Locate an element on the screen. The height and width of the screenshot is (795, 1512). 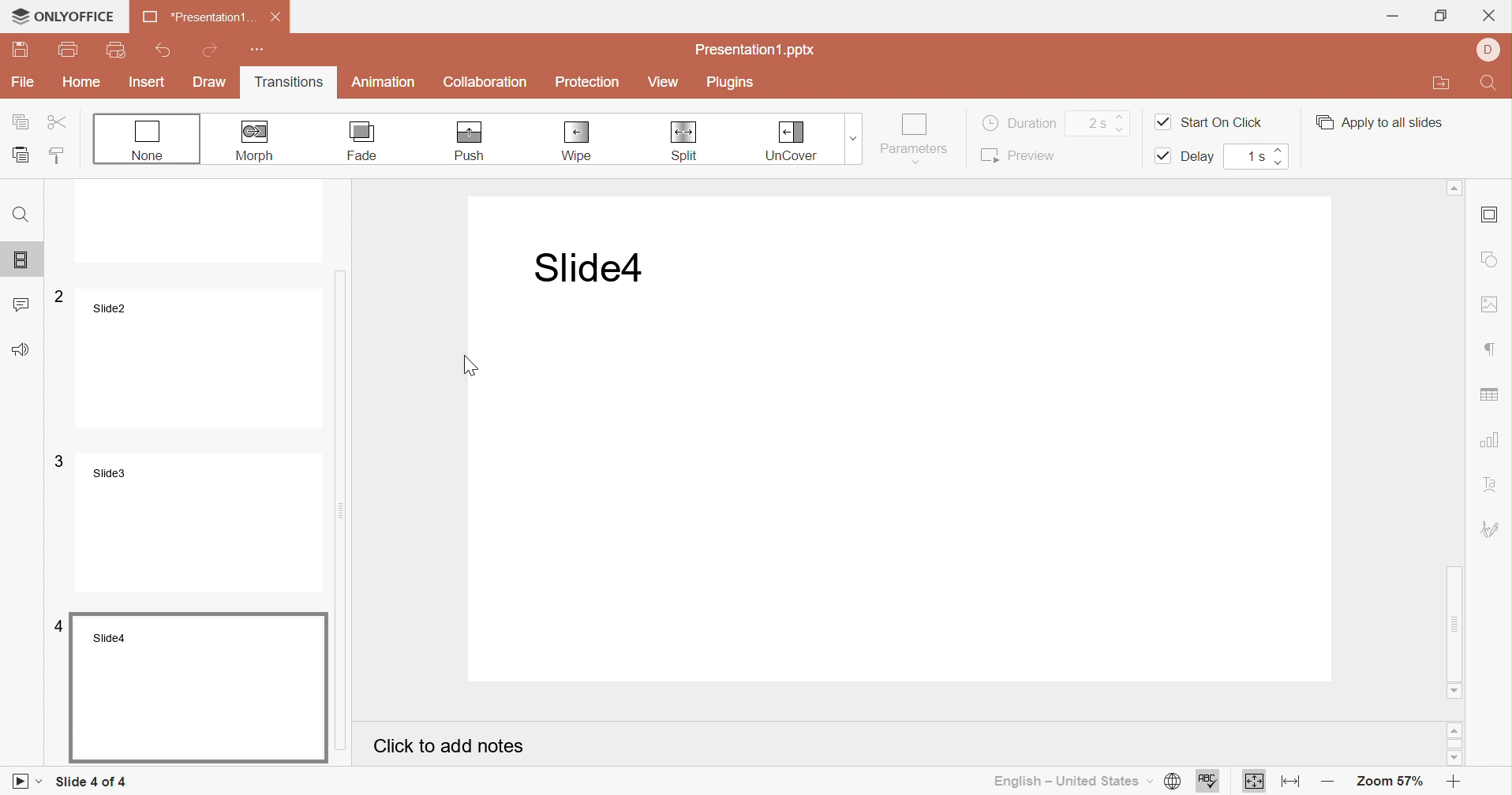
1s is located at coordinates (1255, 155).